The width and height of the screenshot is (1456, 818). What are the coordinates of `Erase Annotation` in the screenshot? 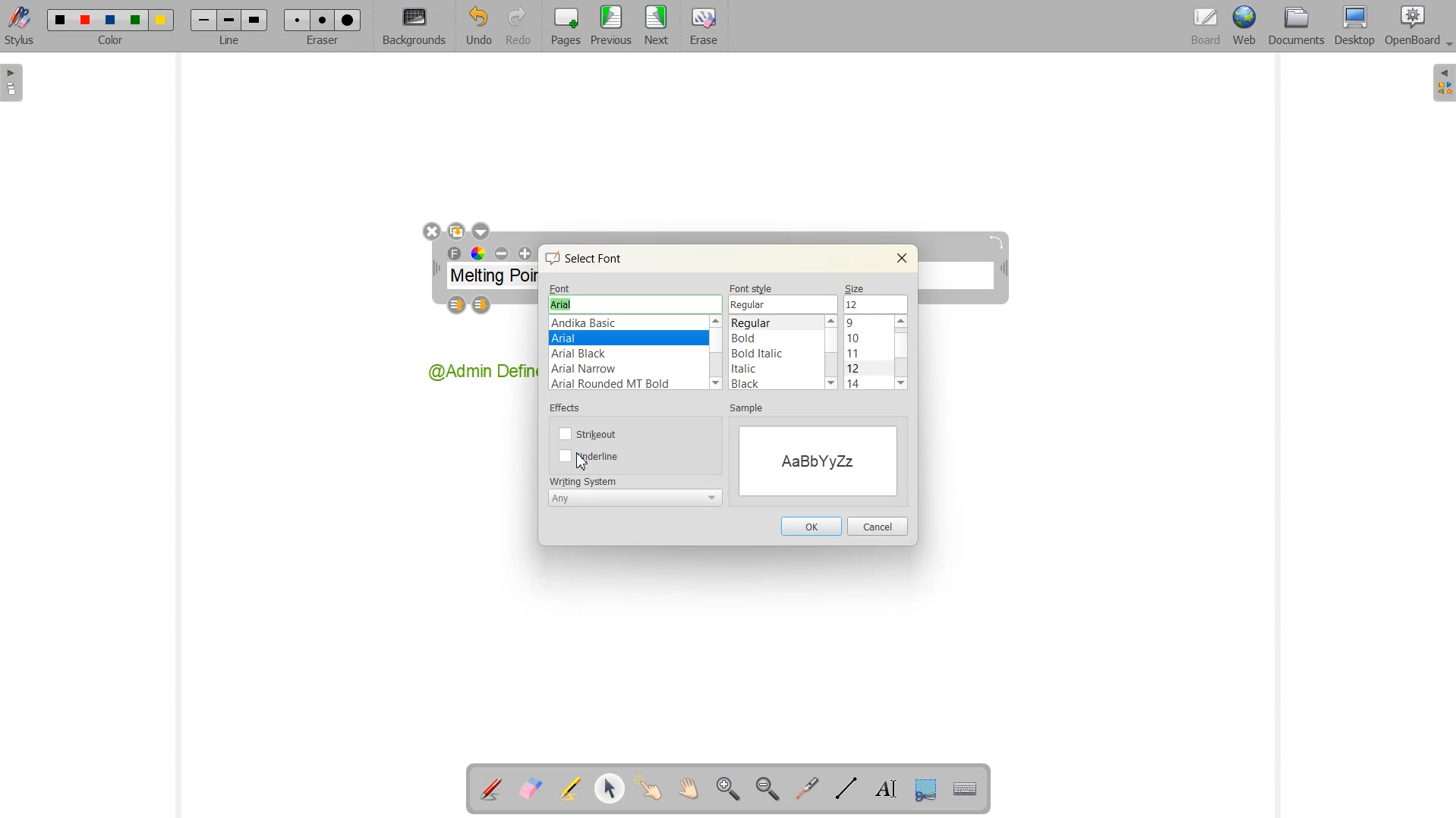 It's located at (530, 789).